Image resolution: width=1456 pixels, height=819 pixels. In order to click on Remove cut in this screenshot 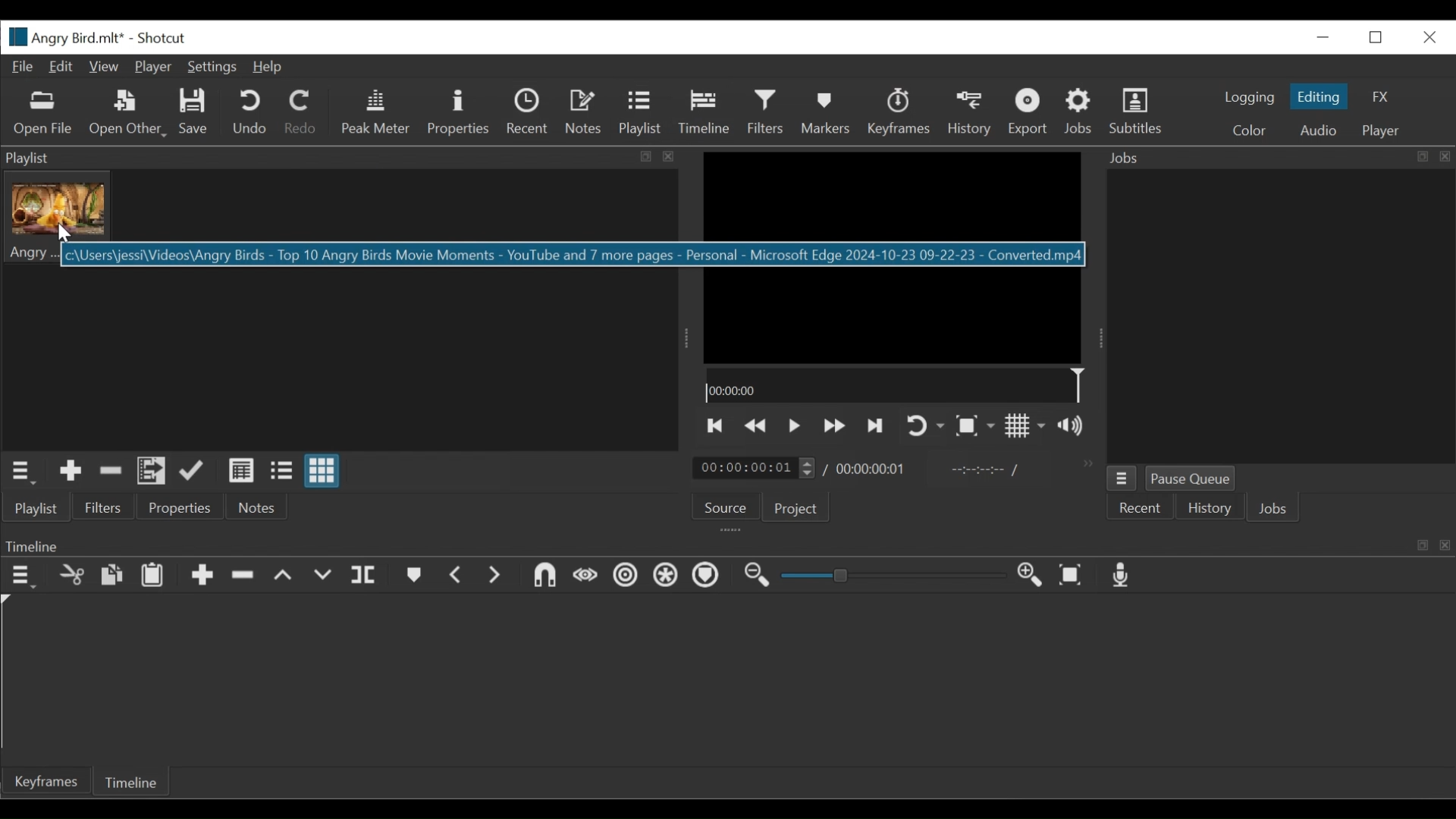, I will do `click(112, 474)`.